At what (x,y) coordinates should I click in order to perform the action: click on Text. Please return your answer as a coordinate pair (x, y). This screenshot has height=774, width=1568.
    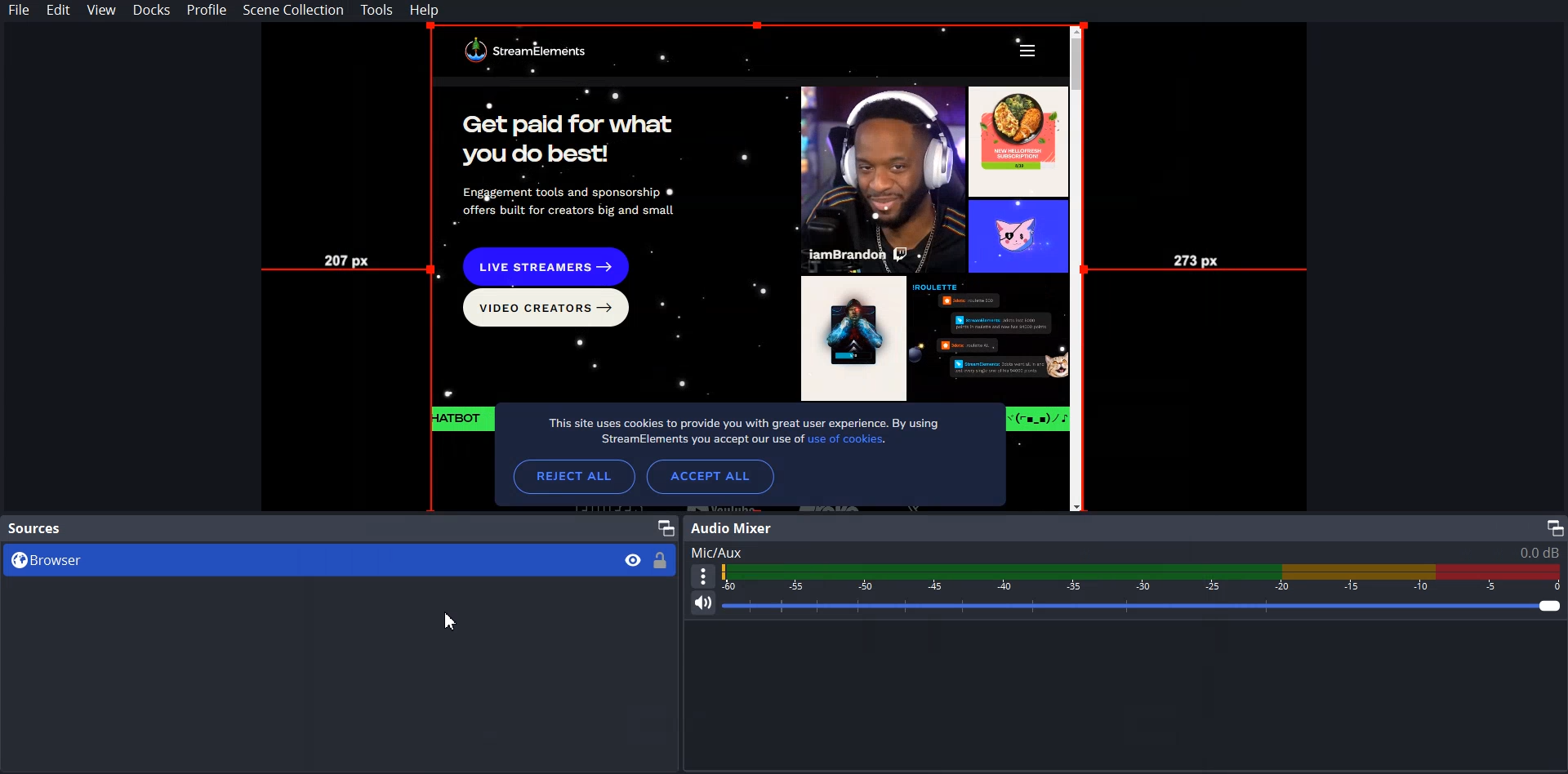
    Looking at the image, I should click on (1126, 551).